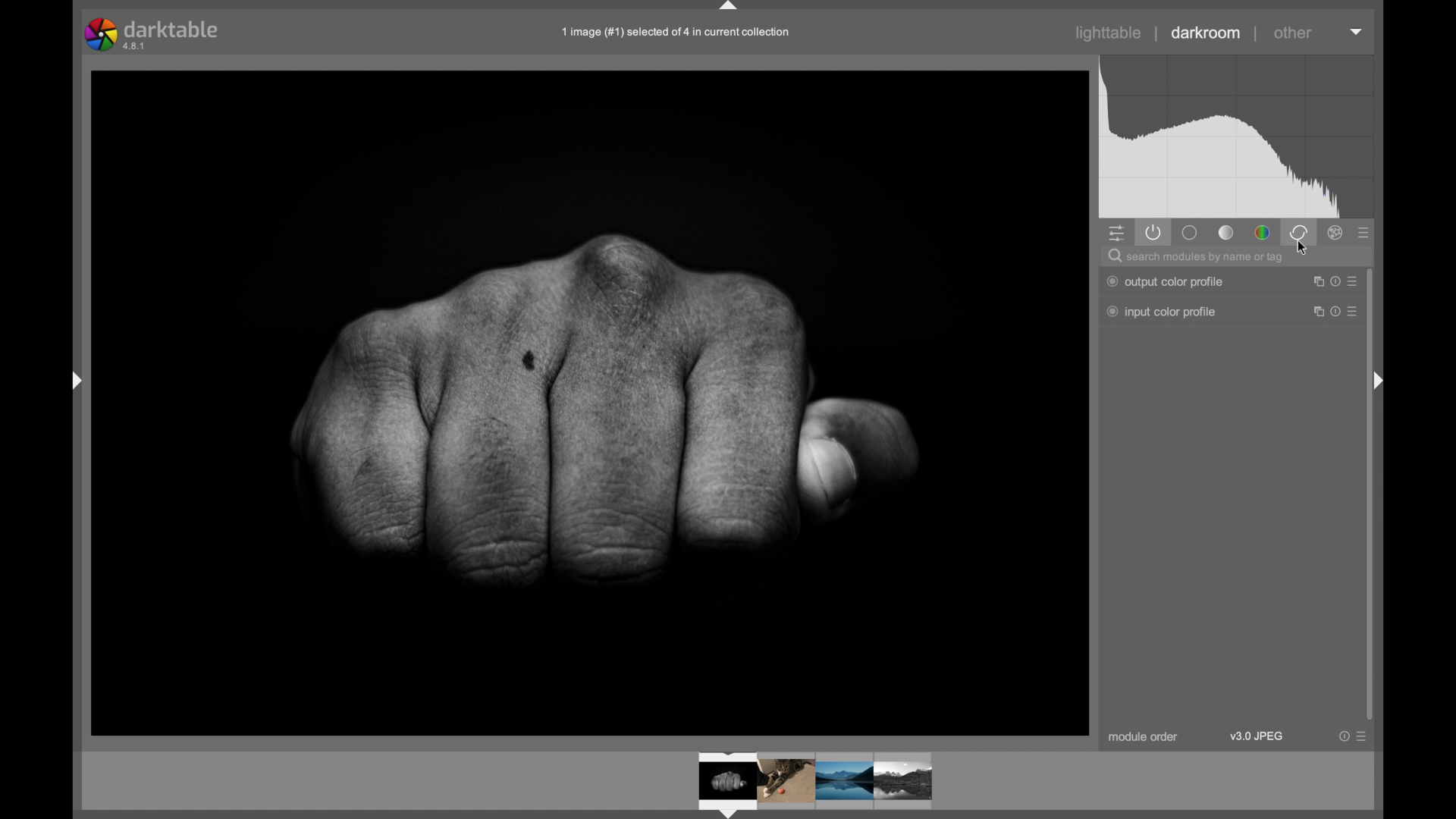 The width and height of the screenshot is (1456, 819). I want to click on presets, so click(1364, 234).